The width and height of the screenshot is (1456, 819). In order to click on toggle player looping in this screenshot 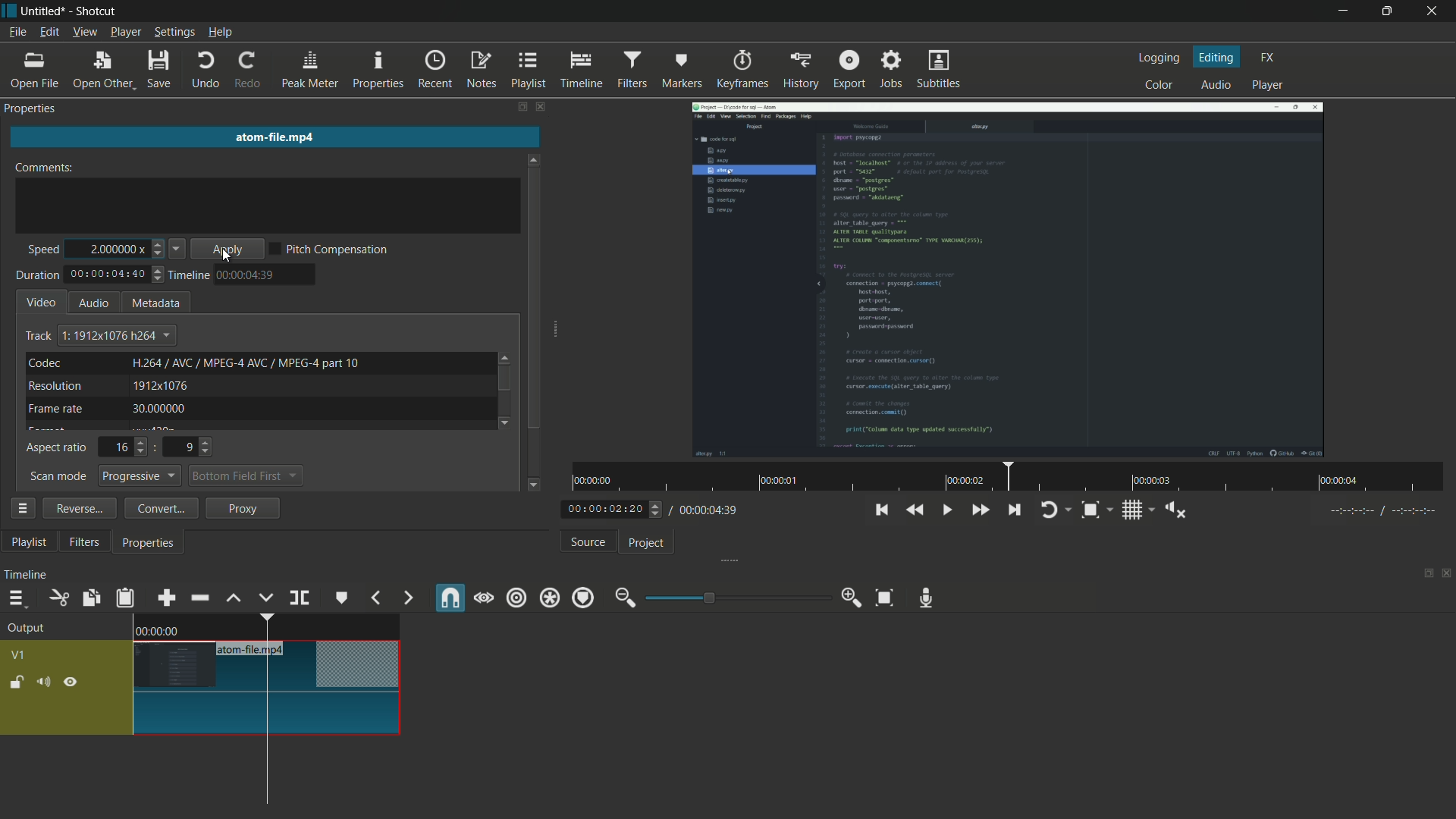, I will do `click(1050, 510)`.